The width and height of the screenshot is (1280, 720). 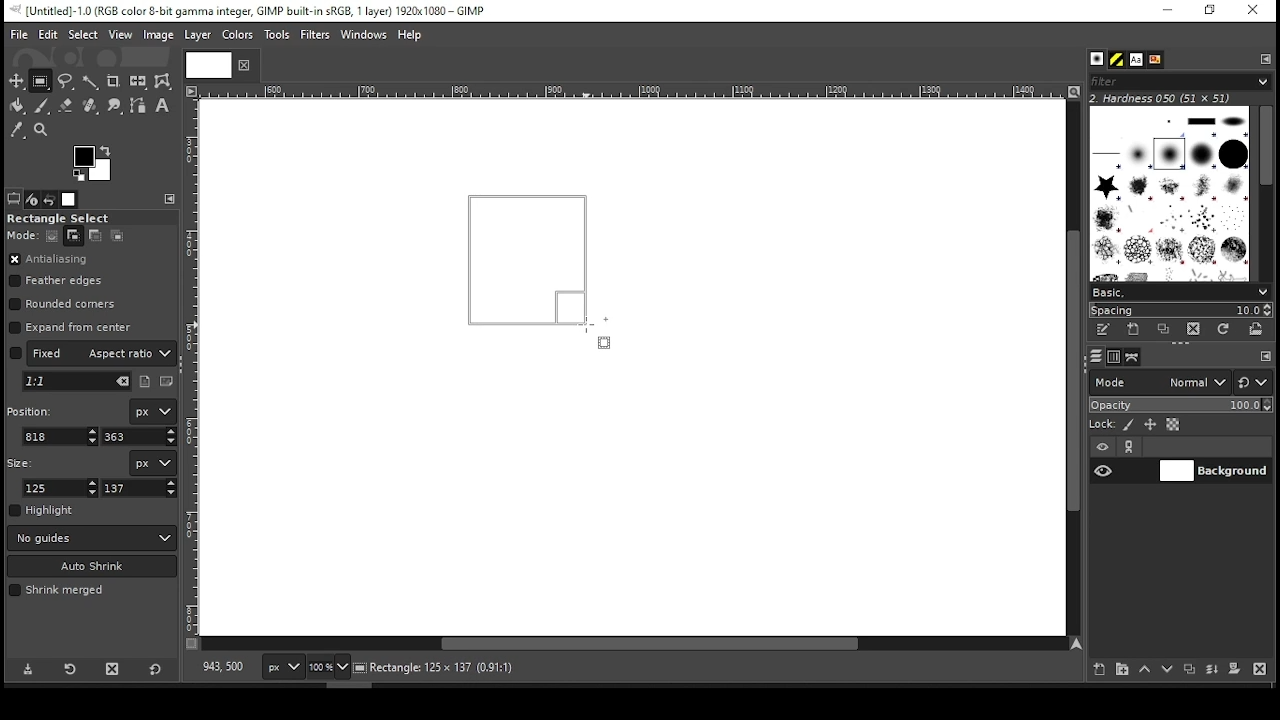 I want to click on size, so click(x=24, y=461).